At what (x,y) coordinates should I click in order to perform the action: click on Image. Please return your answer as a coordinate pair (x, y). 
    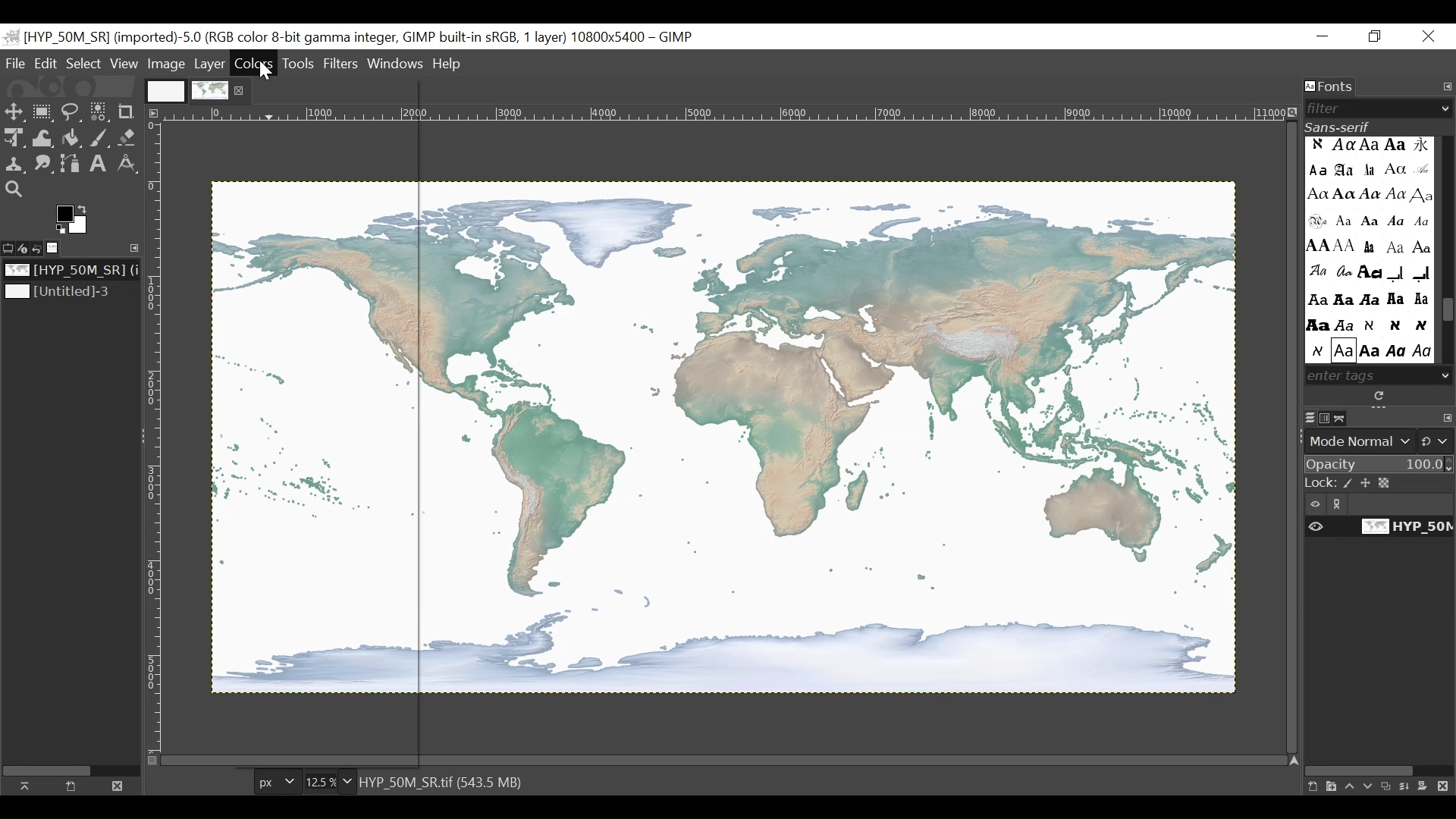
    Looking at the image, I should click on (58, 248).